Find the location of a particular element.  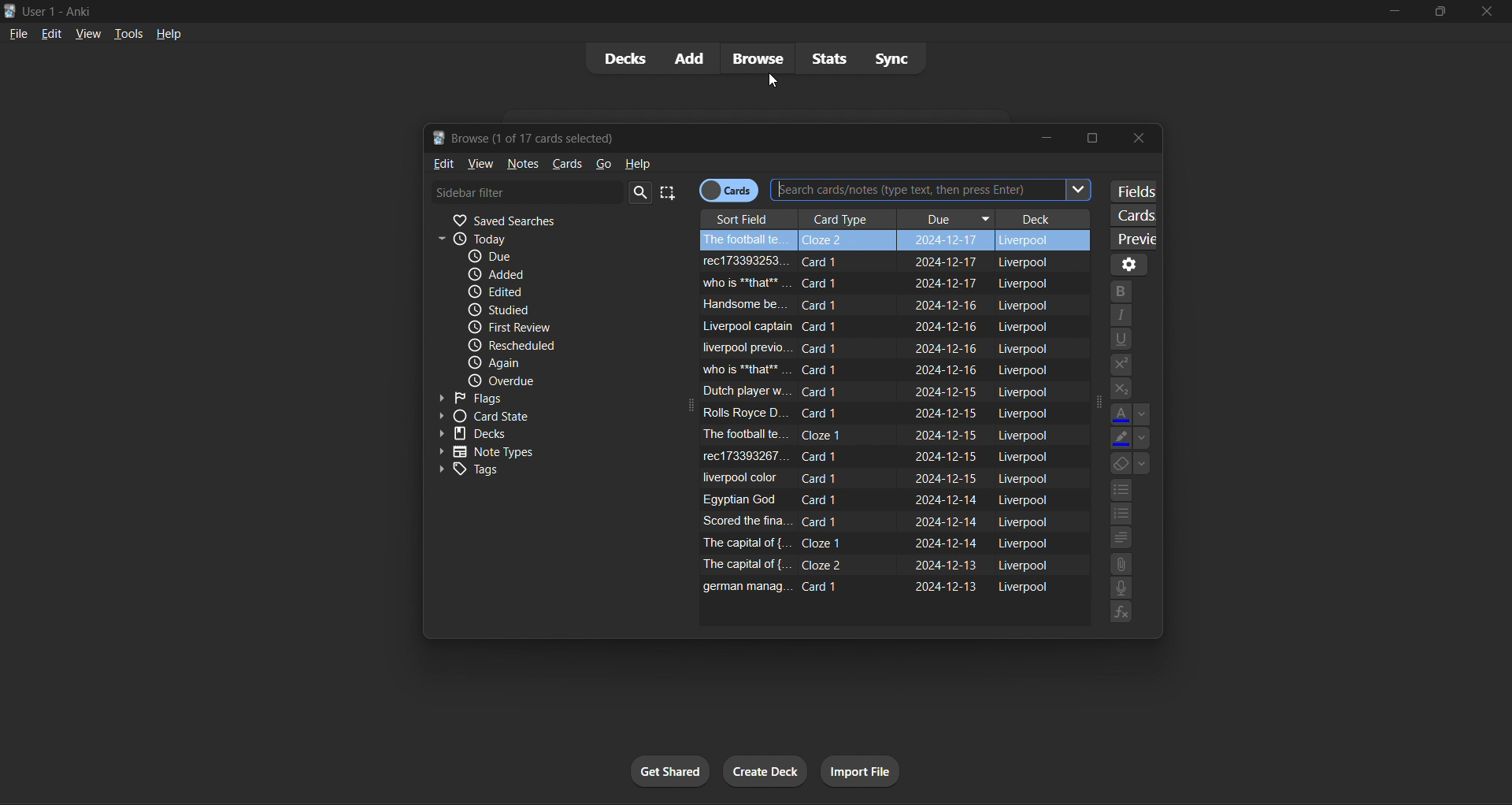

field is located at coordinates (747, 455).